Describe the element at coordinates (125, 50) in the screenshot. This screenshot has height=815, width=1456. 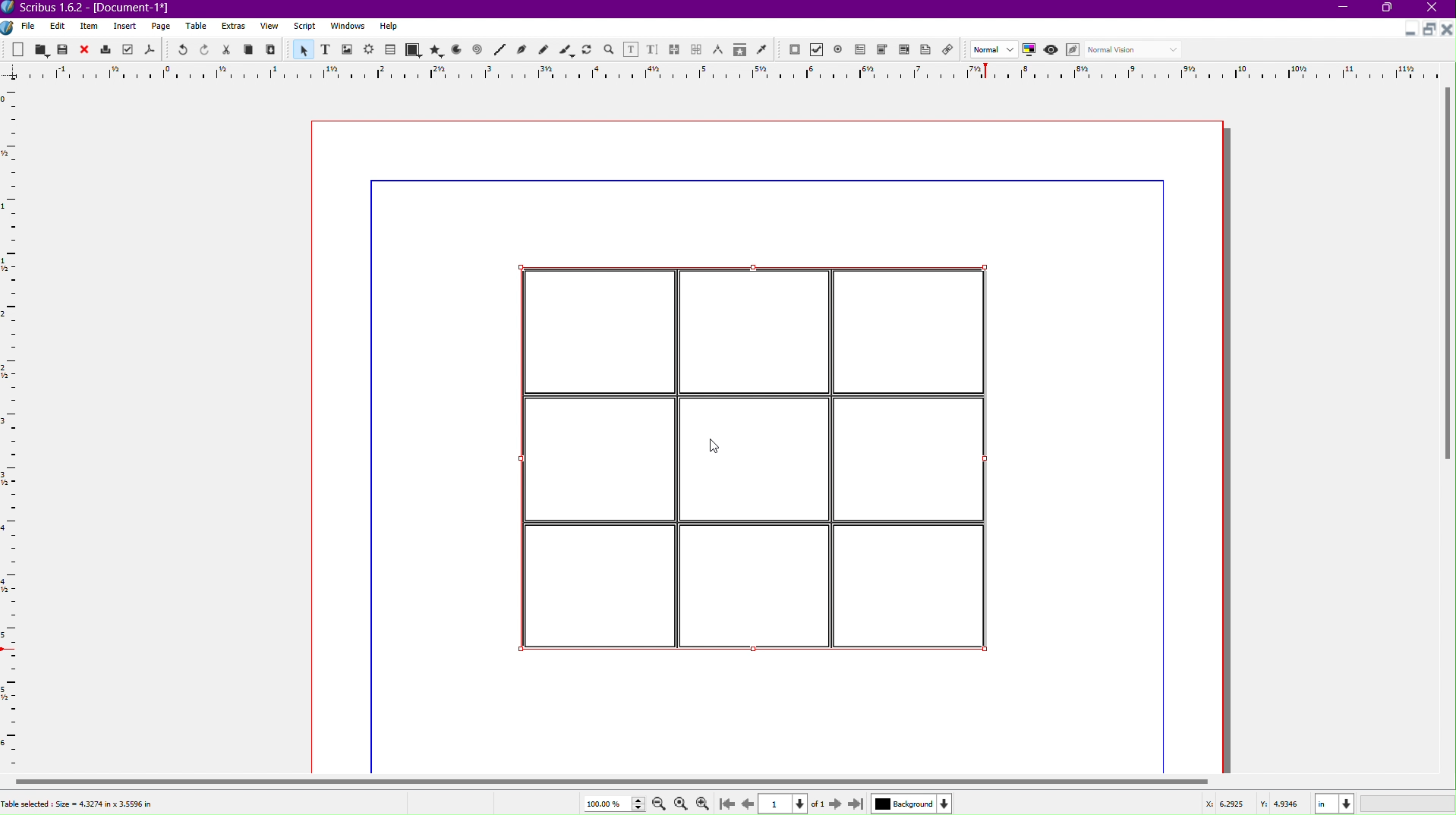
I see `Preflight Verifier` at that location.